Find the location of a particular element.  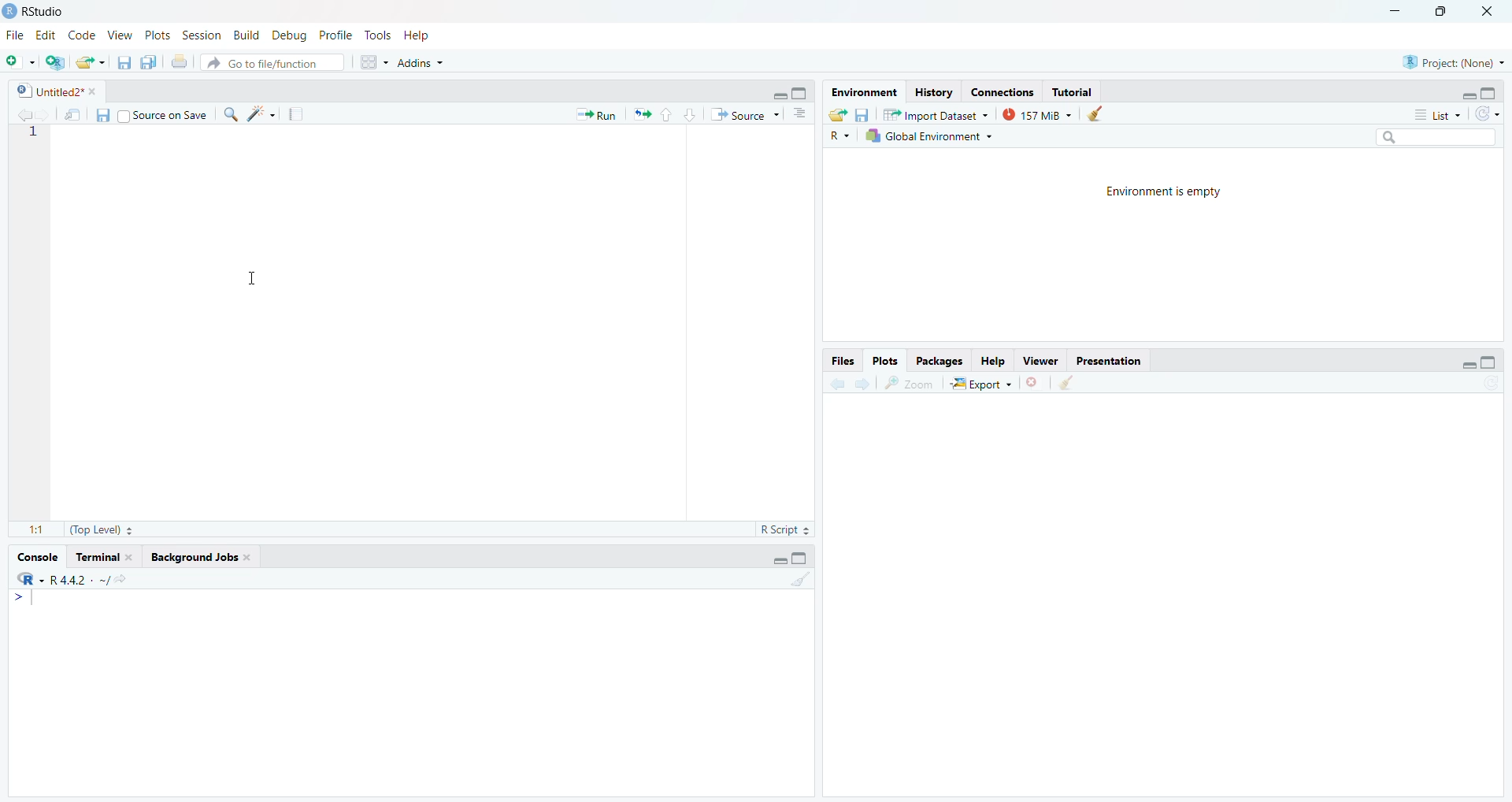

R is located at coordinates (845, 136).